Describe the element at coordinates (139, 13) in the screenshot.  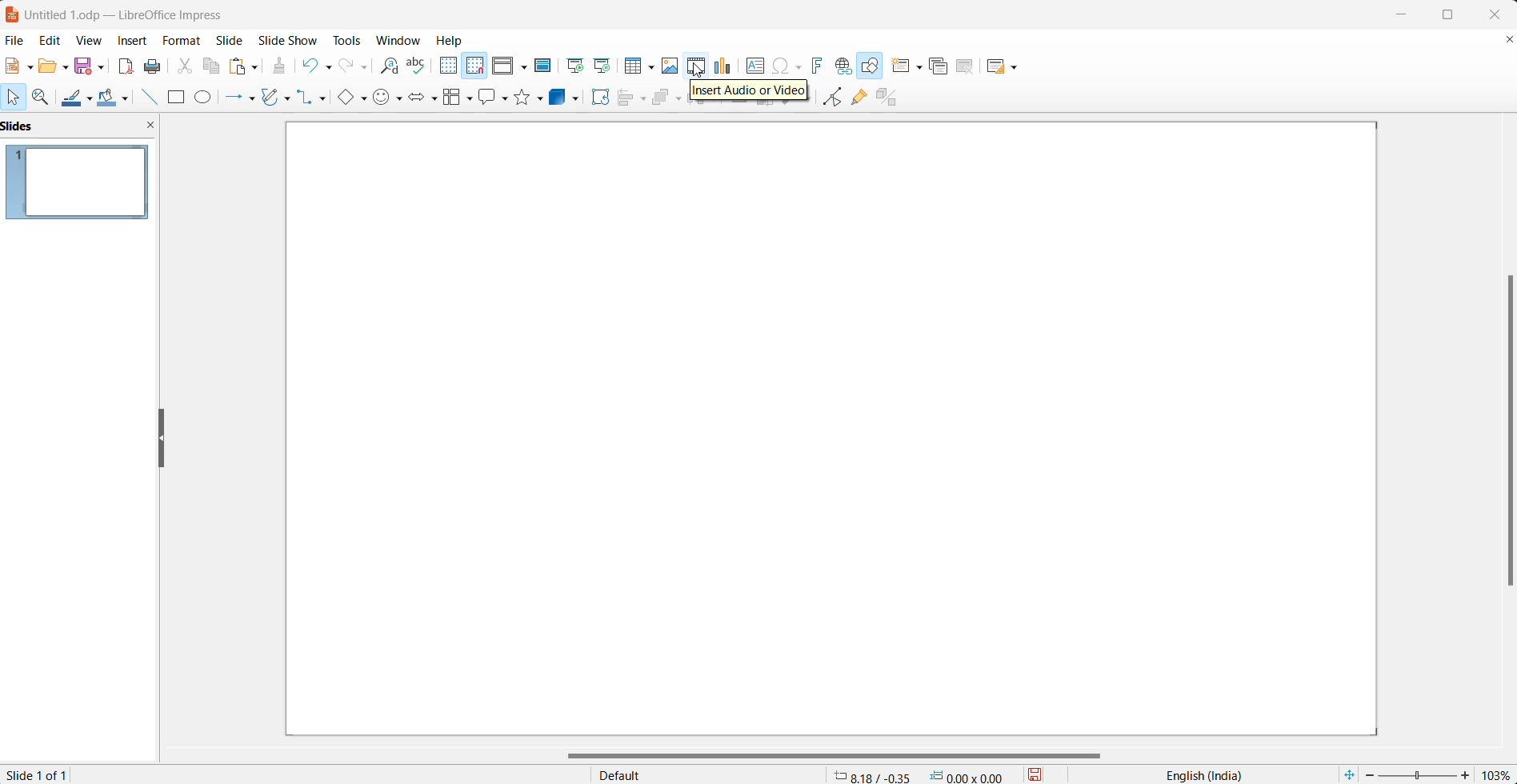
I see `File name and application` at that location.